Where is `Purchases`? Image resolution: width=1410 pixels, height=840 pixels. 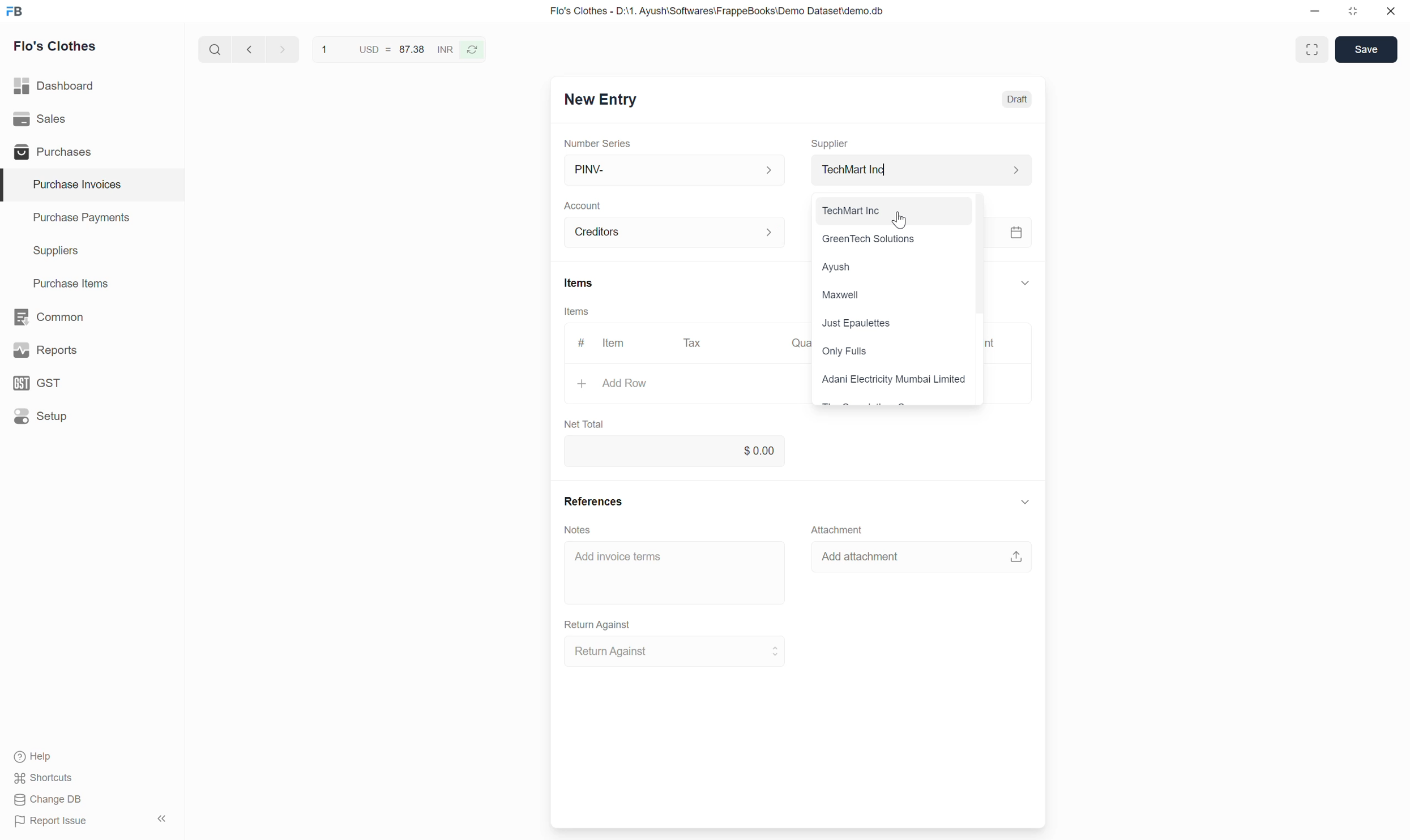 Purchases is located at coordinates (50, 152).